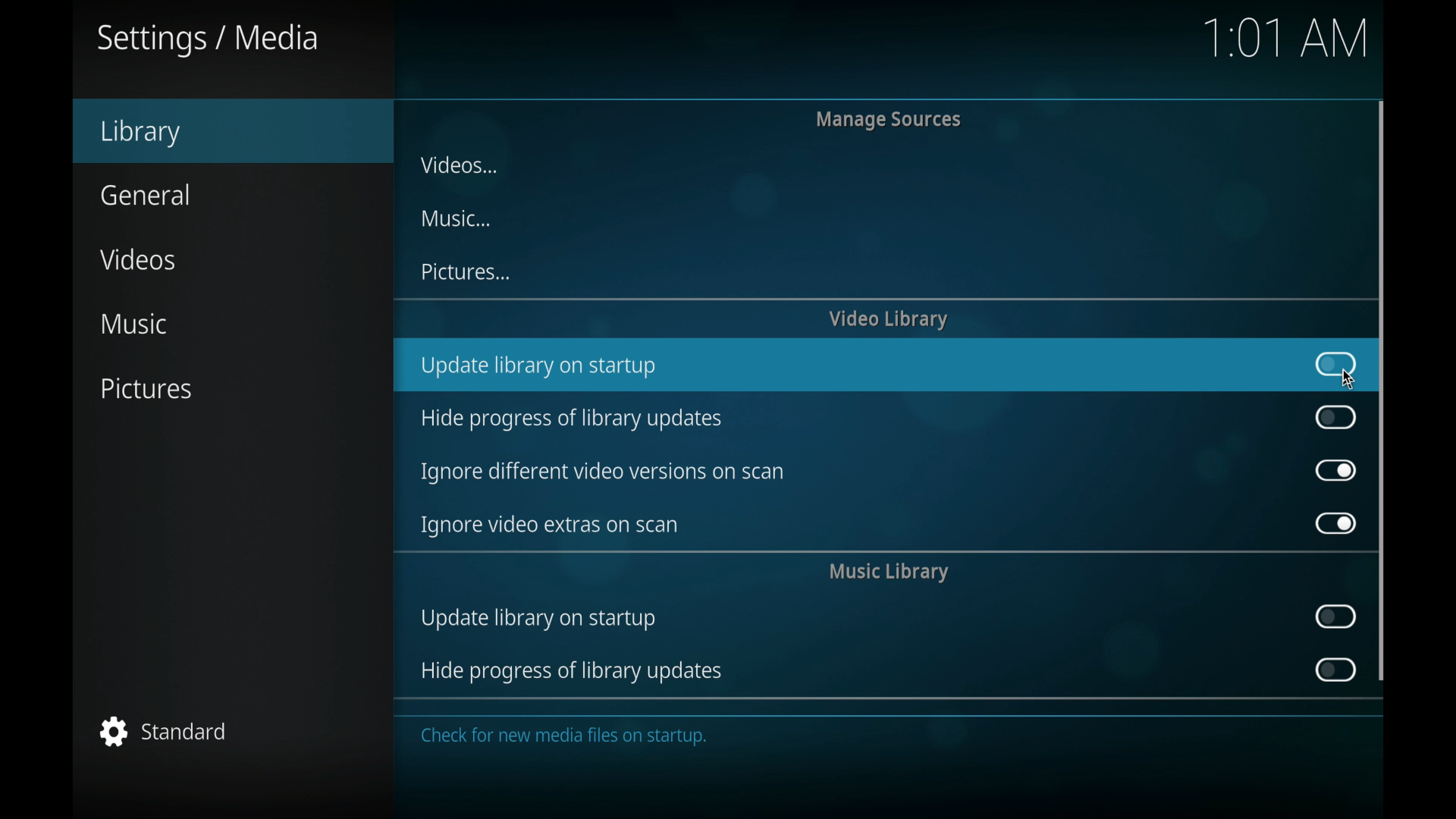  What do you see at coordinates (1334, 670) in the screenshot?
I see `toggle button` at bounding box center [1334, 670].